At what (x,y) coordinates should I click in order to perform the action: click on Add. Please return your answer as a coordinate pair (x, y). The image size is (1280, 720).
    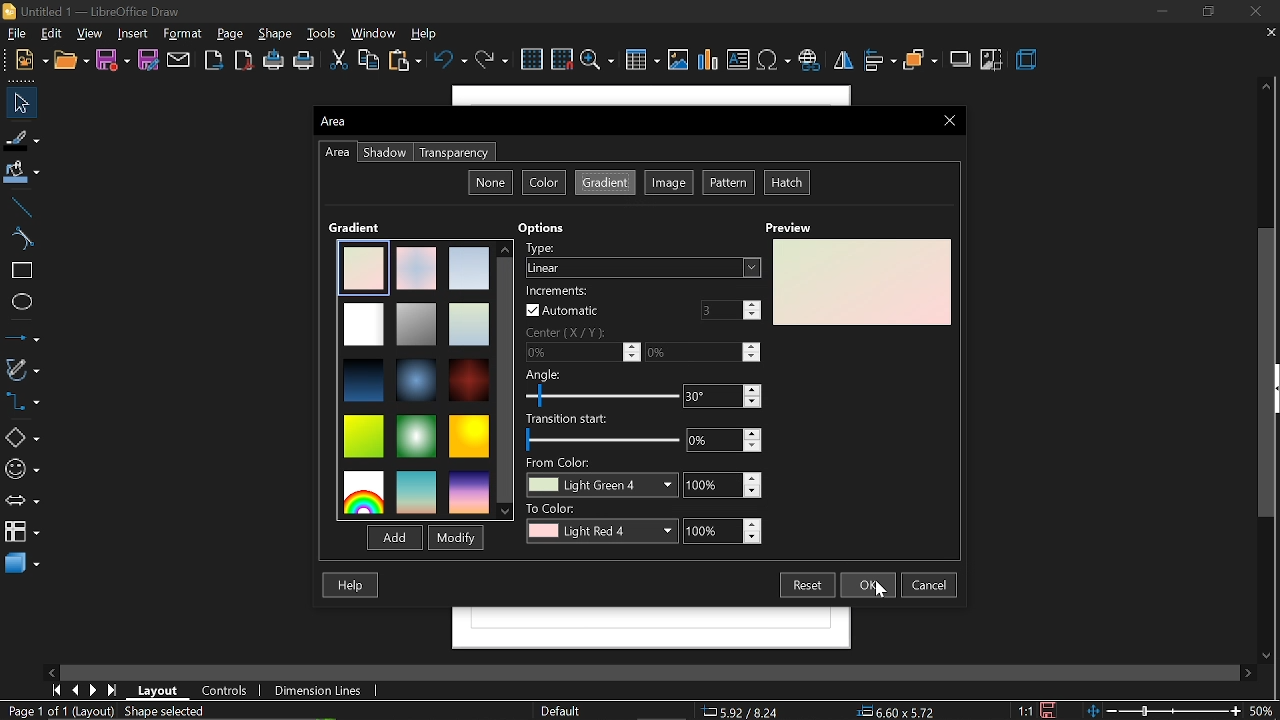
    Looking at the image, I should click on (392, 539).